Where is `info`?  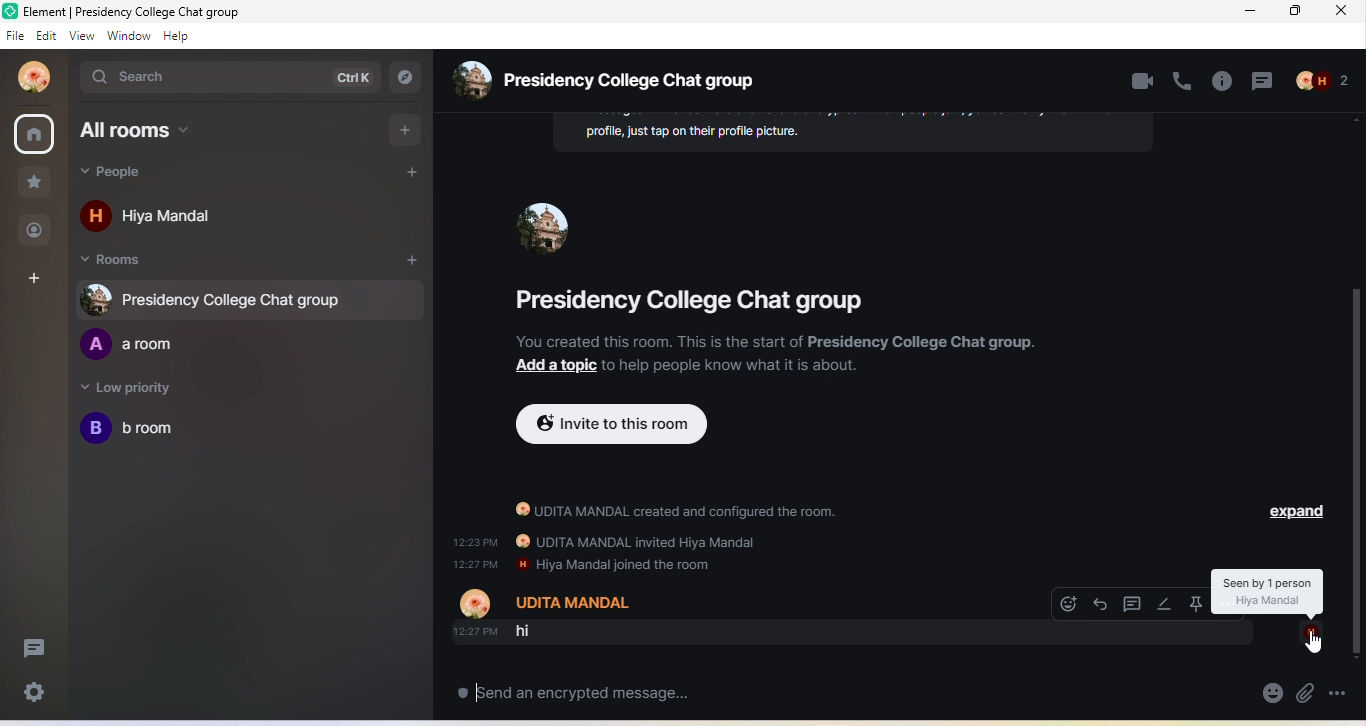
info is located at coordinates (1222, 83).